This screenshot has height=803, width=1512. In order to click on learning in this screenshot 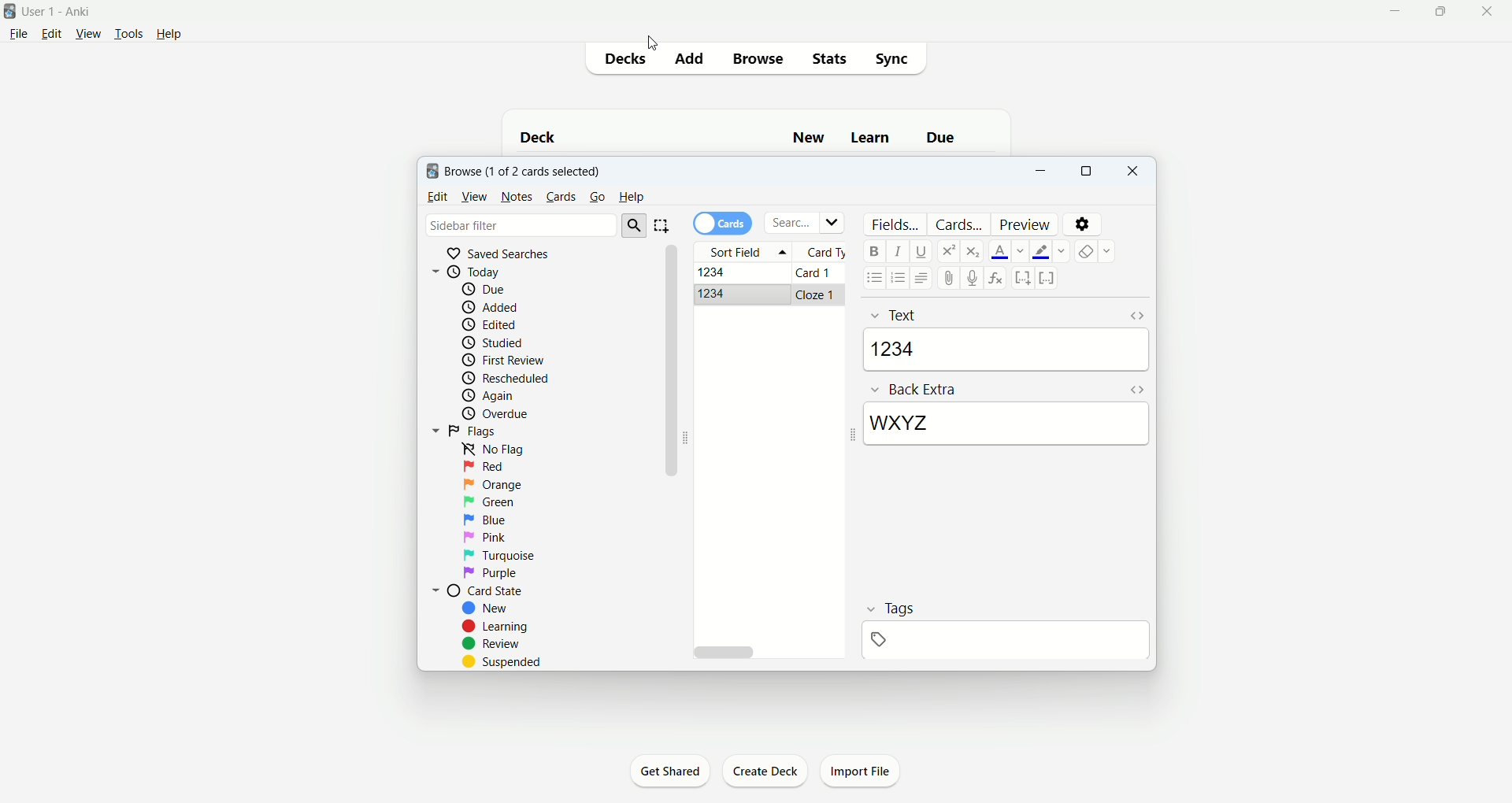, I will do `click(500, 629)`.